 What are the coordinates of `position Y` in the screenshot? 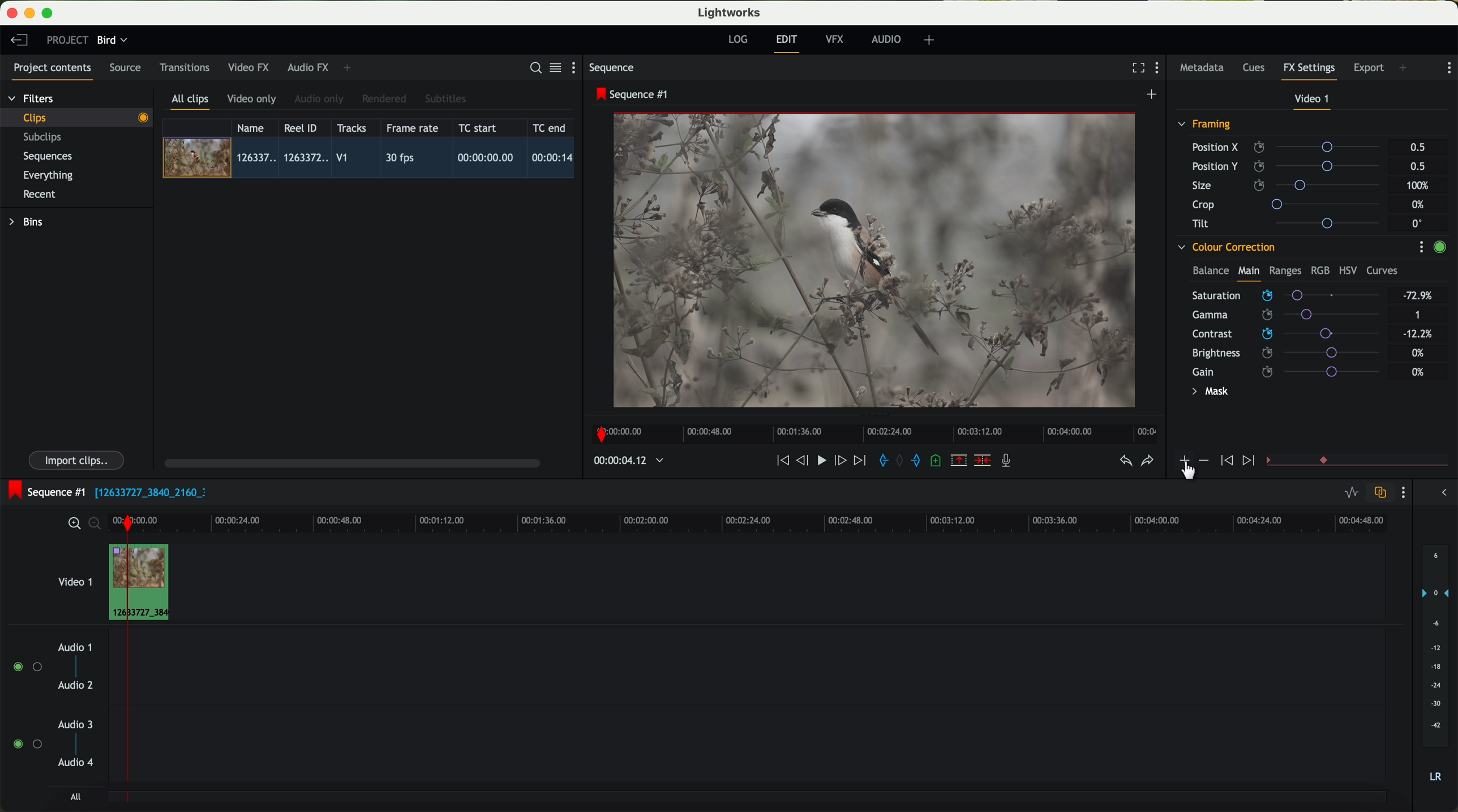 It's located at (1290, 166).